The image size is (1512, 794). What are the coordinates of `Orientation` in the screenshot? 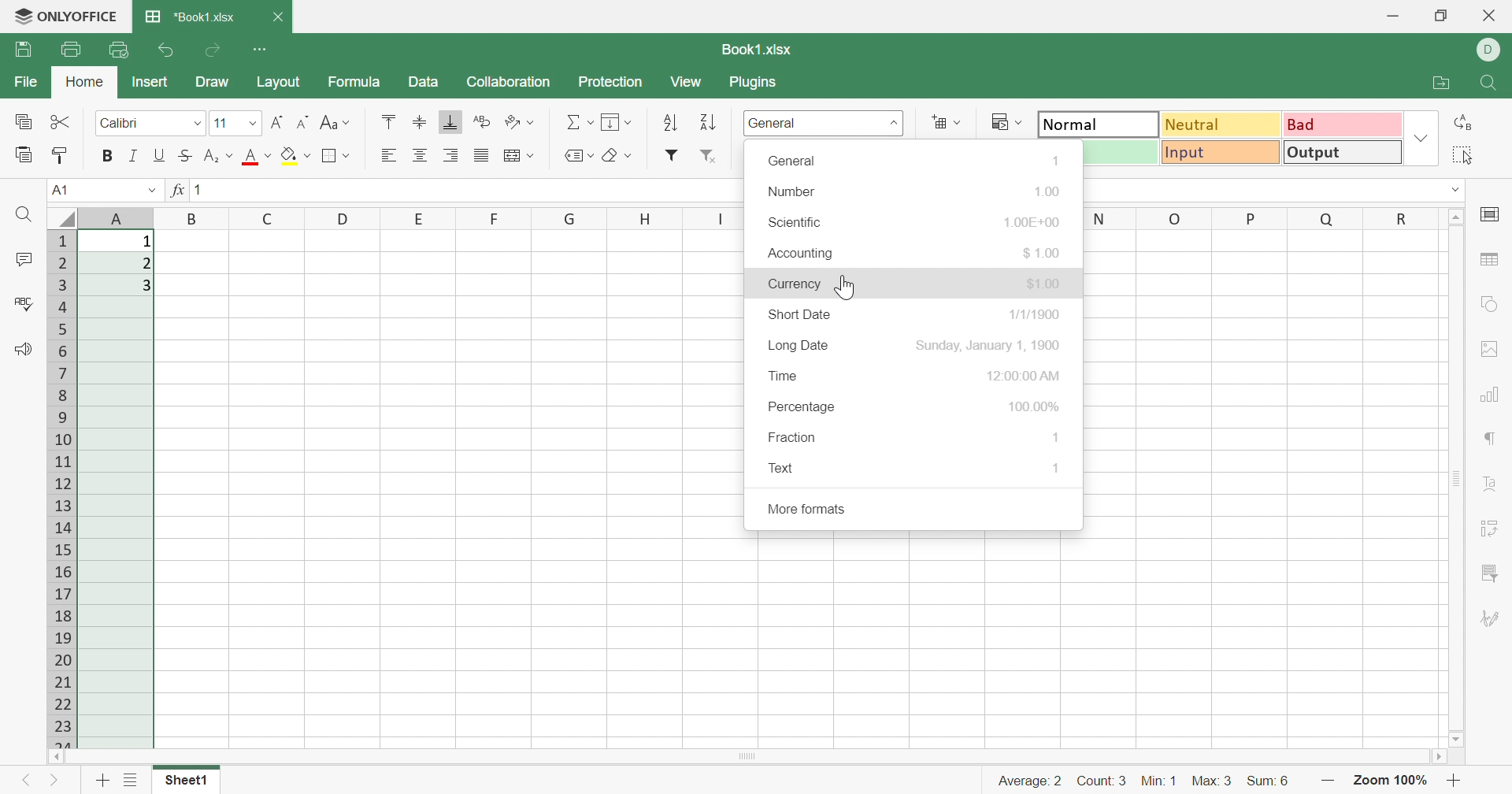 It's located at (520, 123).